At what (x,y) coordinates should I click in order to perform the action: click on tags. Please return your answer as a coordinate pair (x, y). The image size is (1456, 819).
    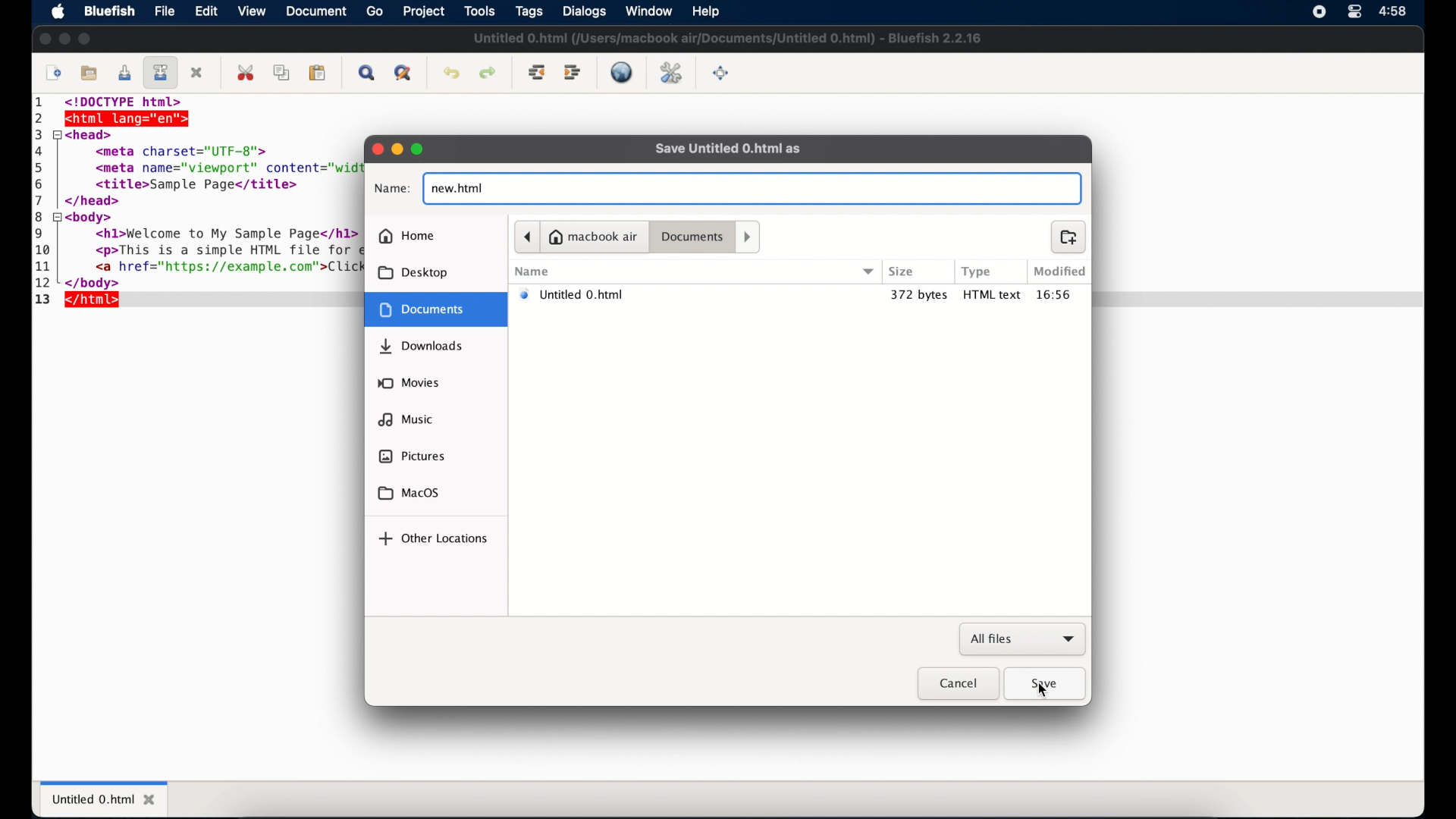
    Looking at the image, I should click on (530, 12).